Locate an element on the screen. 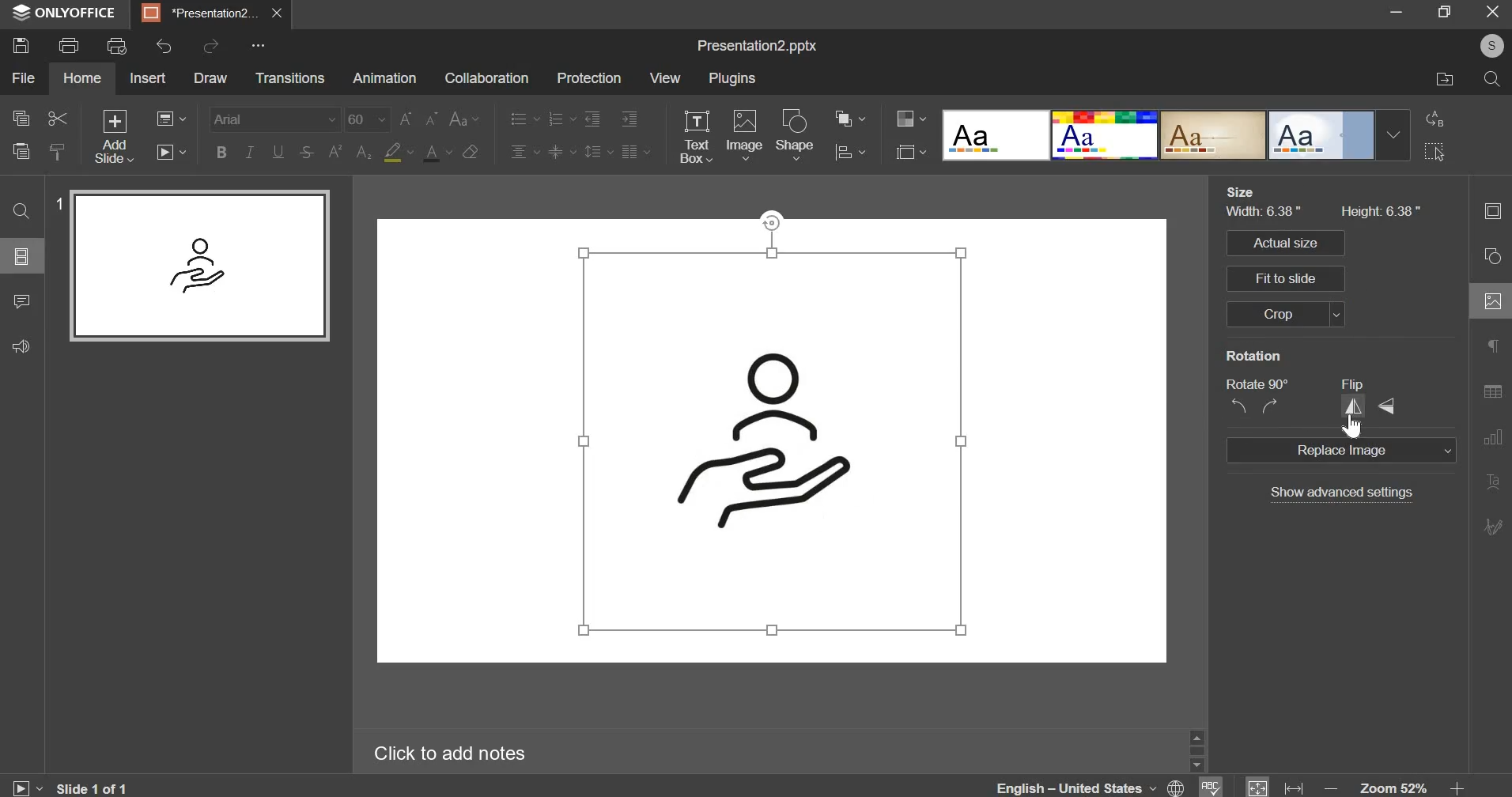 This screenshot has width=1512, height=797. slide 1 on 1 is located at coordinates (66, 788).